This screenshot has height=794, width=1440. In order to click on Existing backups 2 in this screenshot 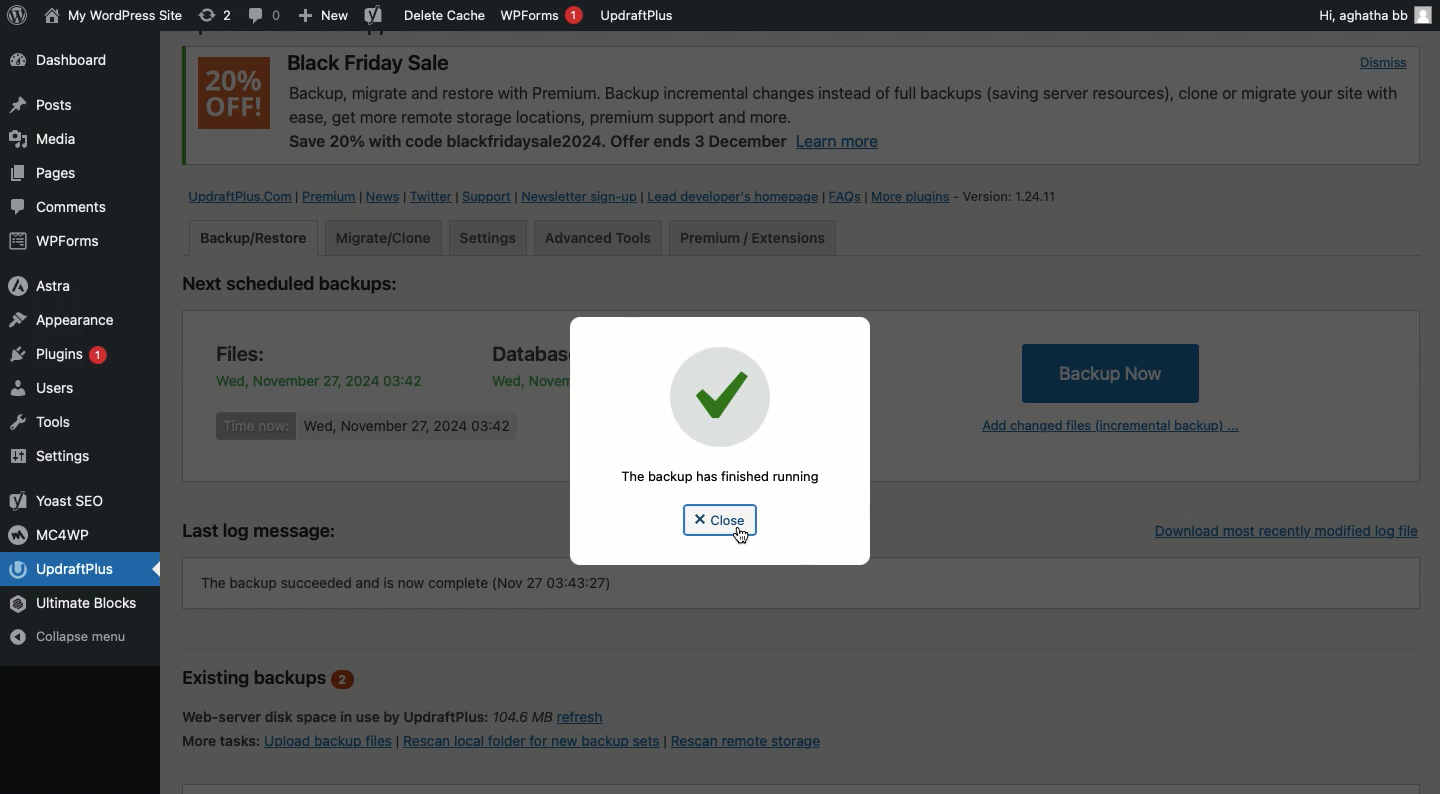, I will do `click(270, 680)`.